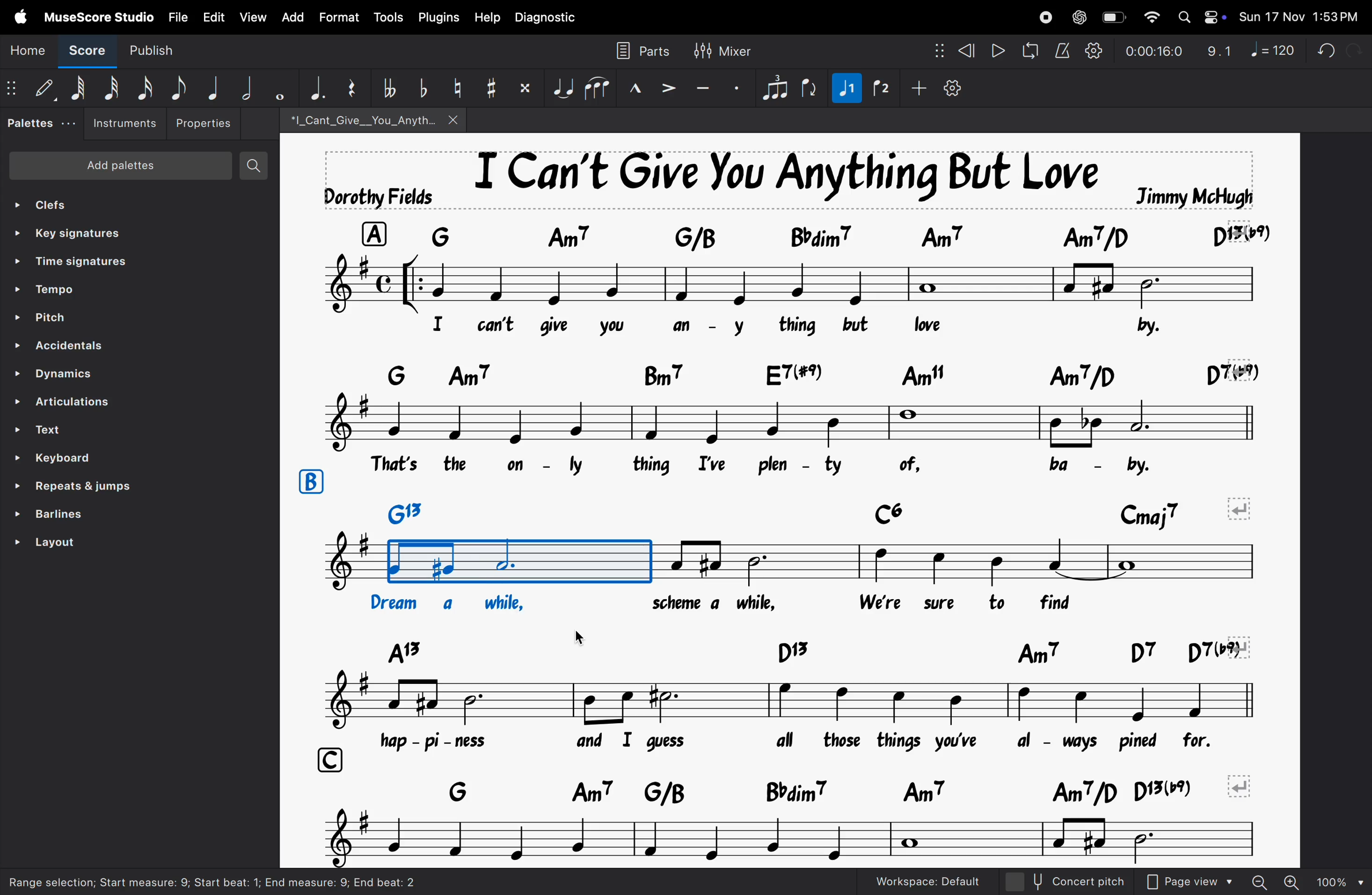 Image resolution: width=1372 pixels, height=895 pixels. Describe the element at coordinates (599, 87) in the screenshot. I see `slur` at that location.